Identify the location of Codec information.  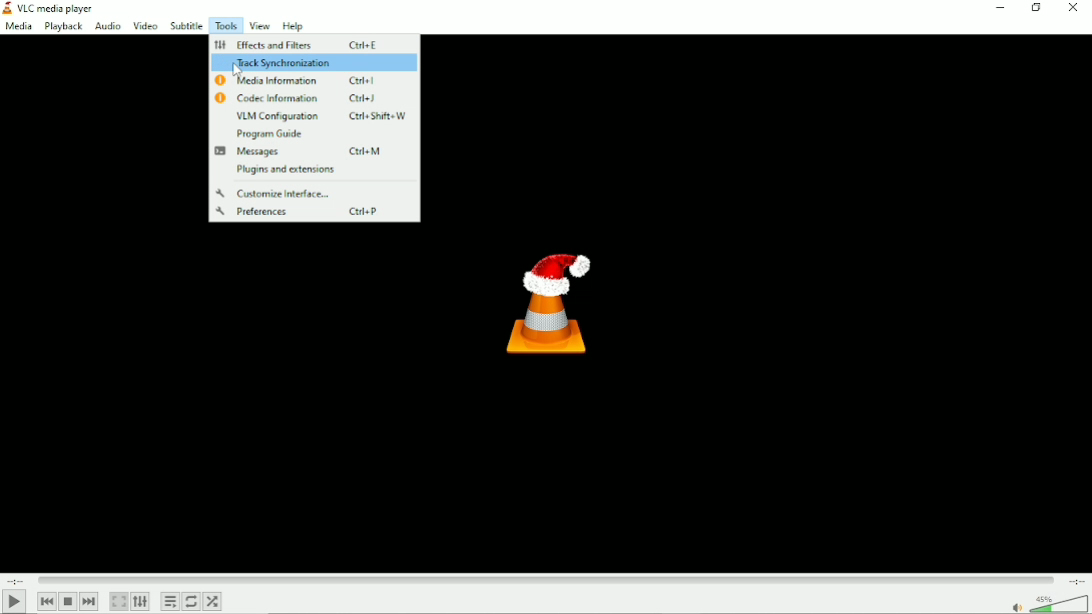
(308, 98).